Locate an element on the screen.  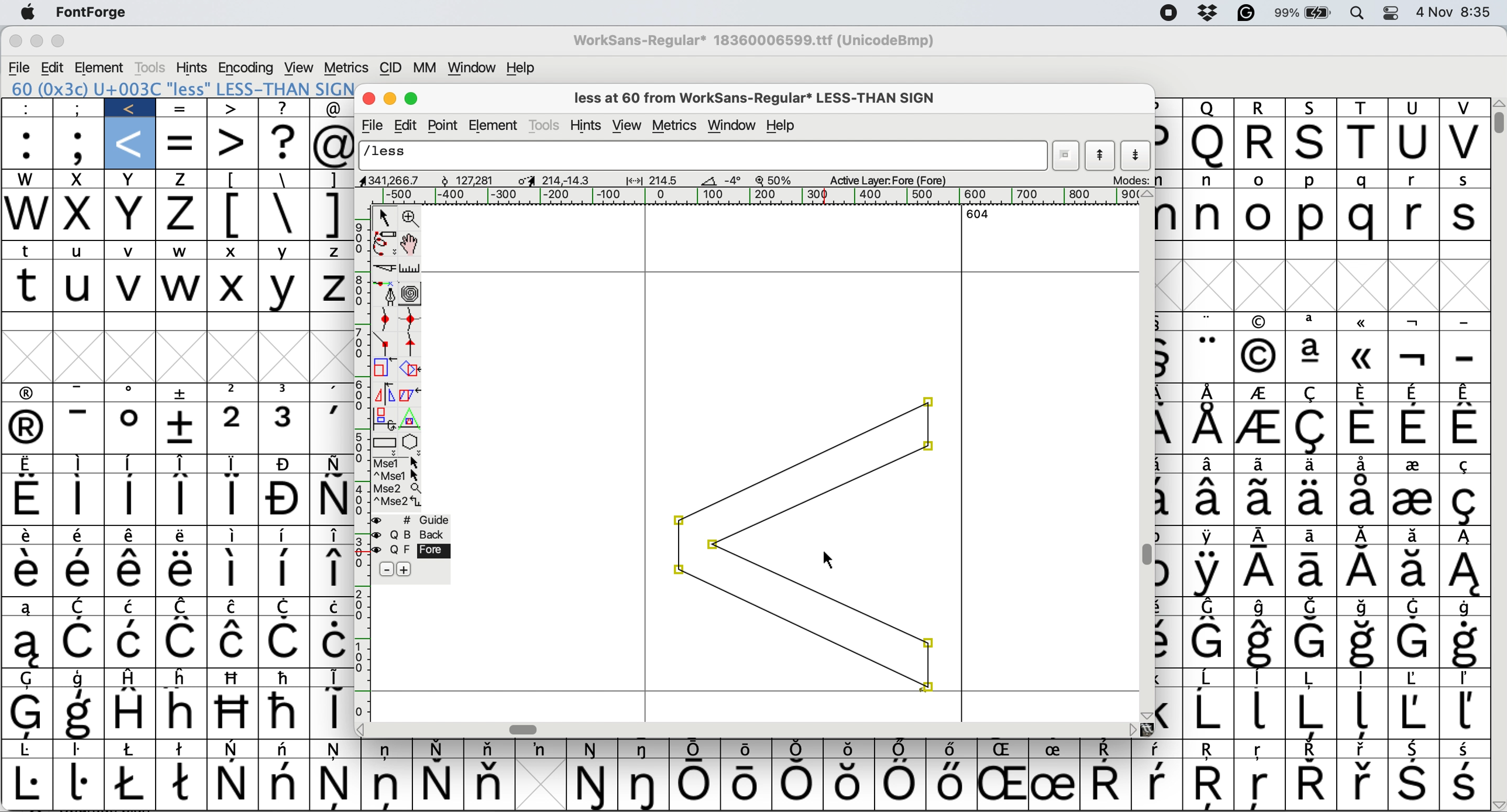
Symbol is located at coordinates (1209, 321).